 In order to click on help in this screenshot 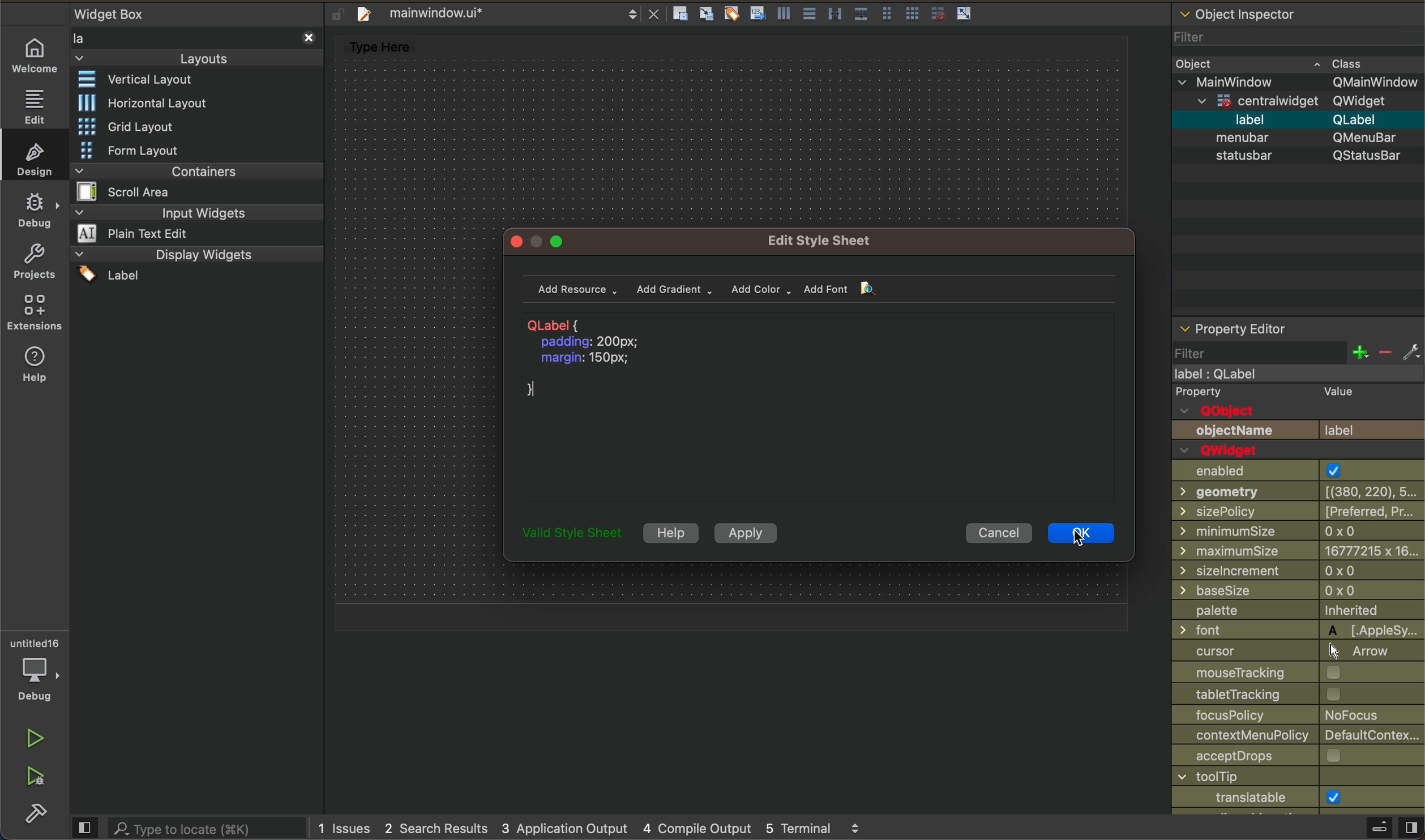, I will do `click(669, 533)`.